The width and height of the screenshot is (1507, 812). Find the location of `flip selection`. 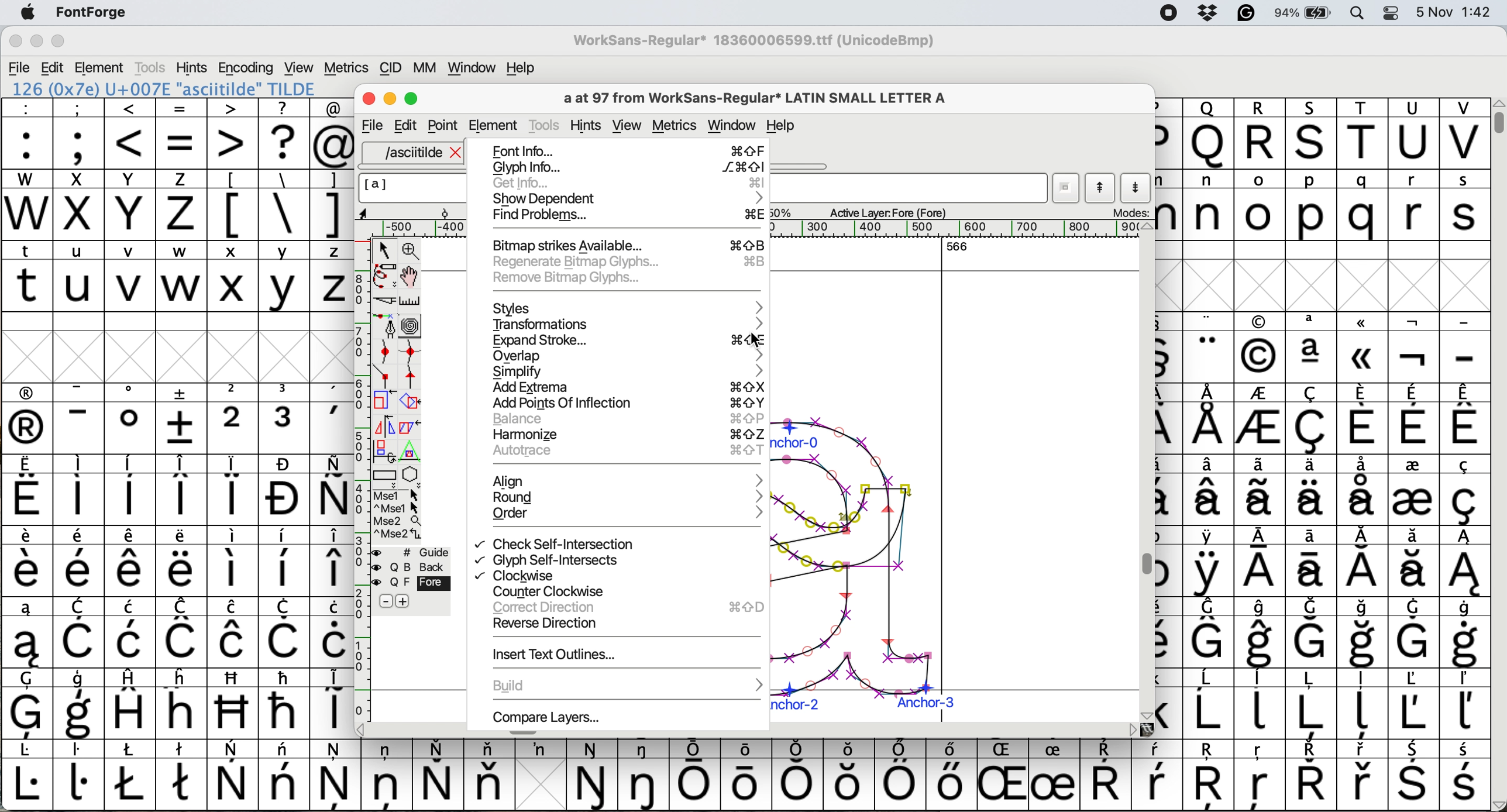

flip selection is located at coordinates (384, 425).